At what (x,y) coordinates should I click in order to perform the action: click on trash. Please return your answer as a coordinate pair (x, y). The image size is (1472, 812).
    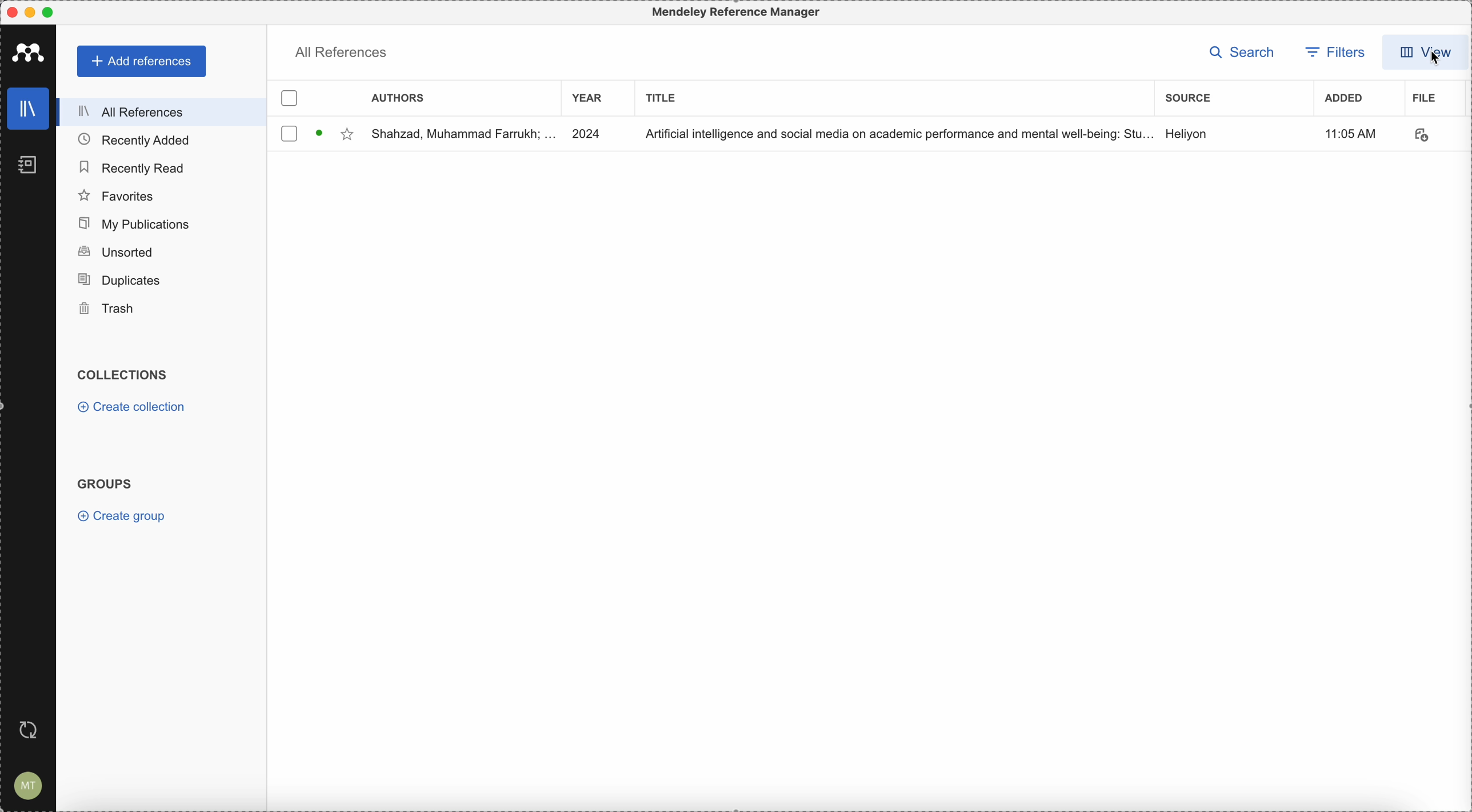
    Looking at the image, I should click on (105, 309).